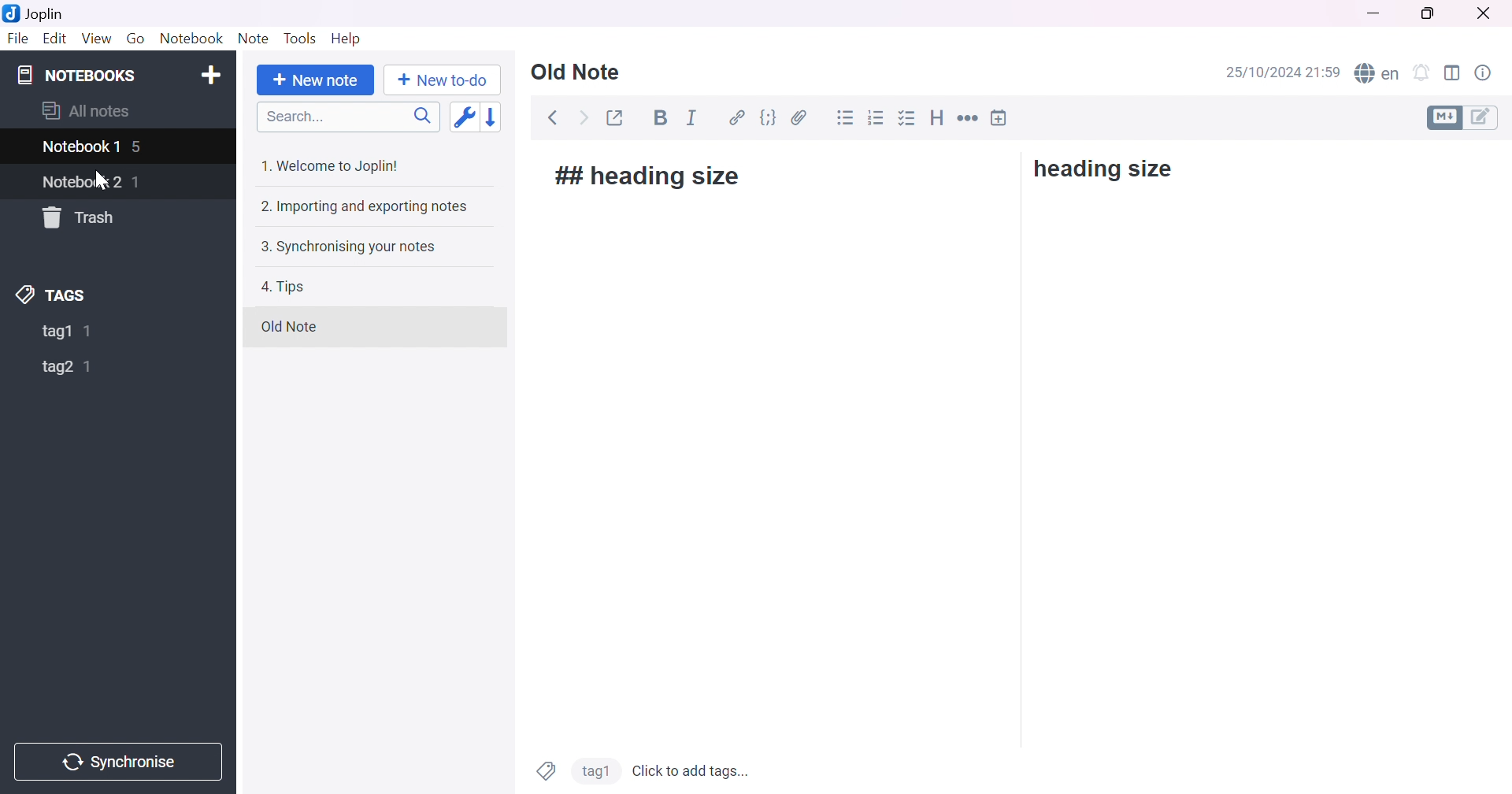  I want to click on Insert time, so click(999, 117).